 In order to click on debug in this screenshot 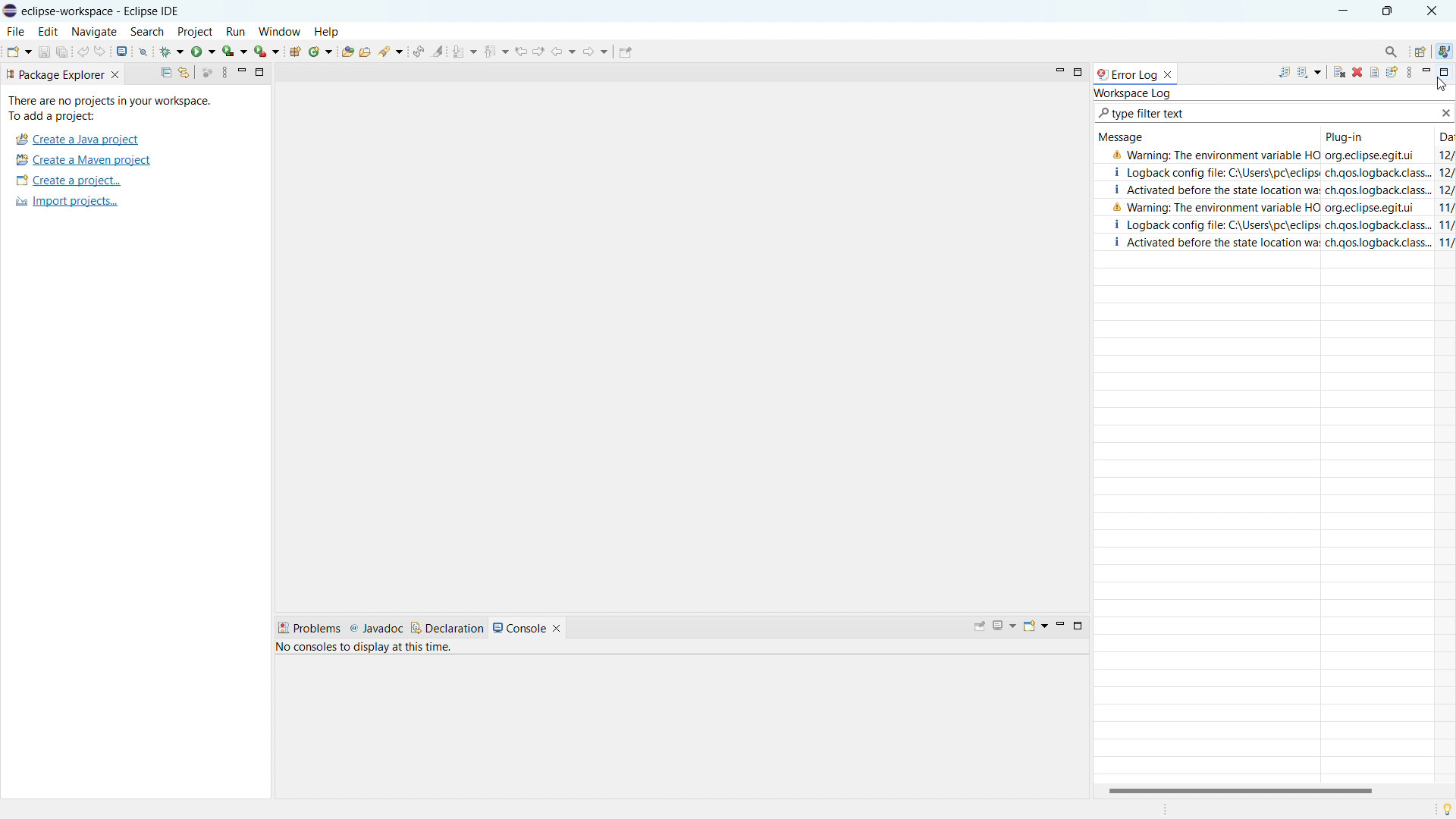, I will do `click(172, 52)`.